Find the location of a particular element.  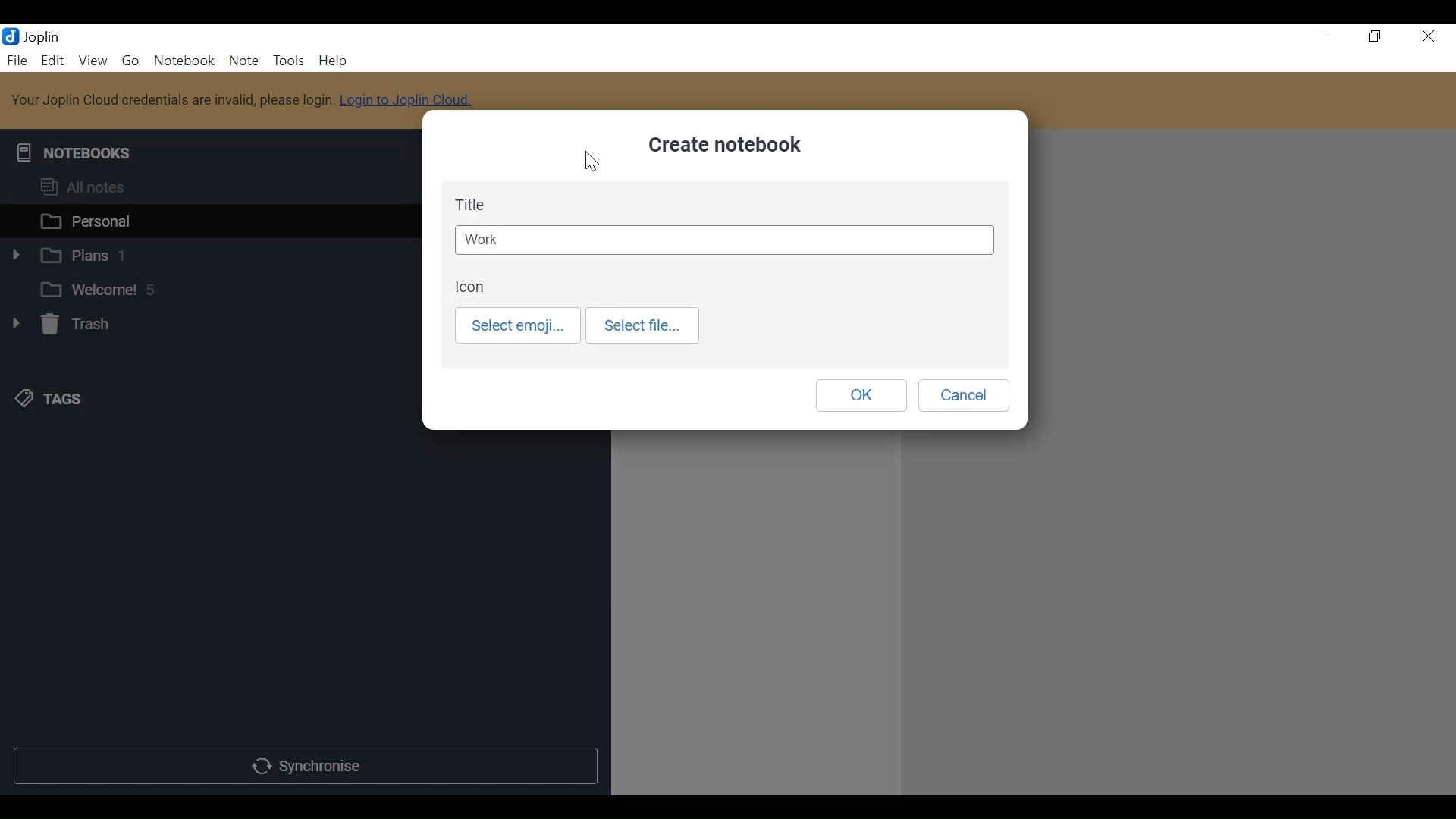

personal  is located at coordinates (209, 220).